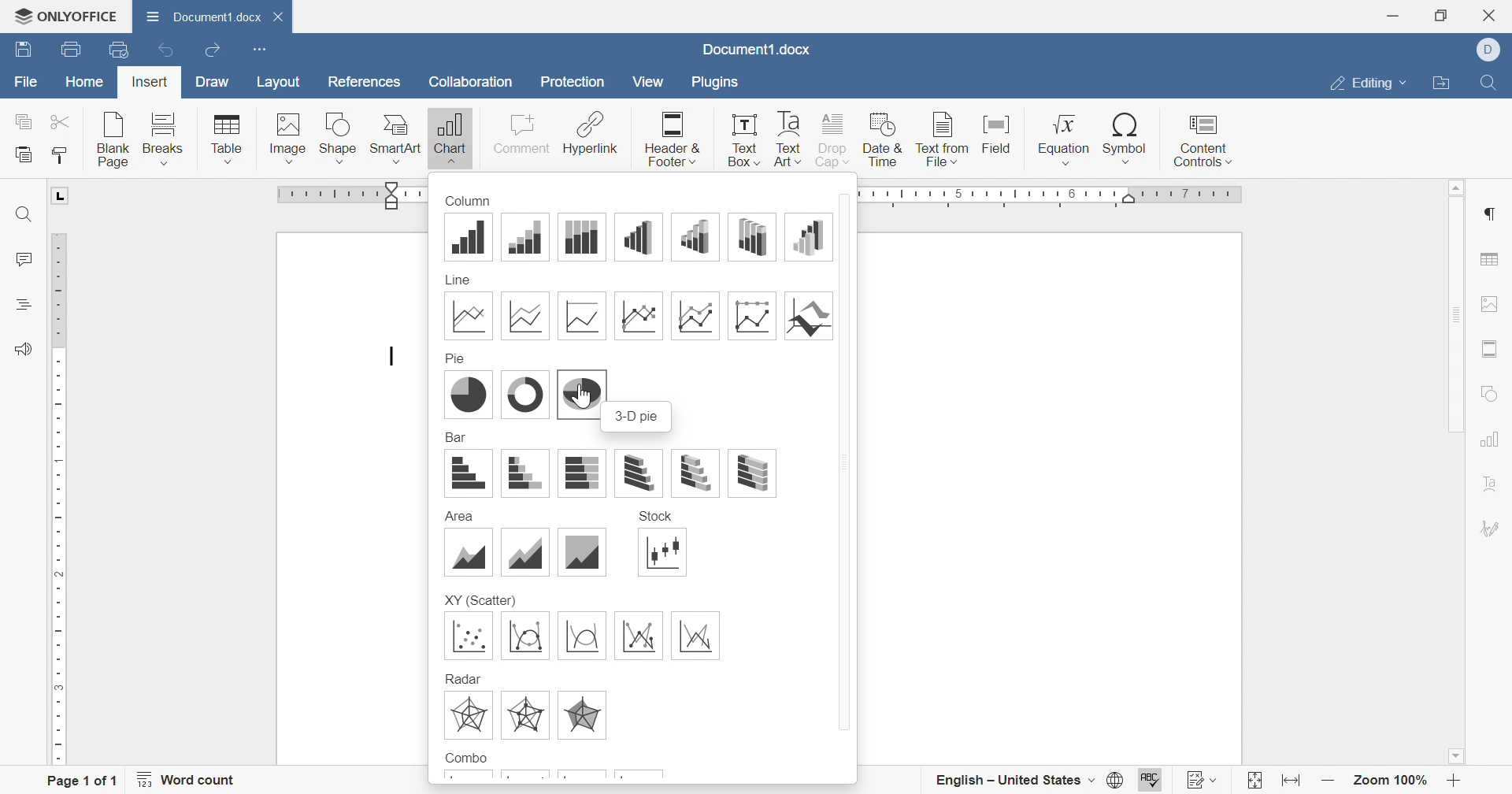  Describe the element at coordinates (575, 83) in the screenshot. I see `Protection` at that location.